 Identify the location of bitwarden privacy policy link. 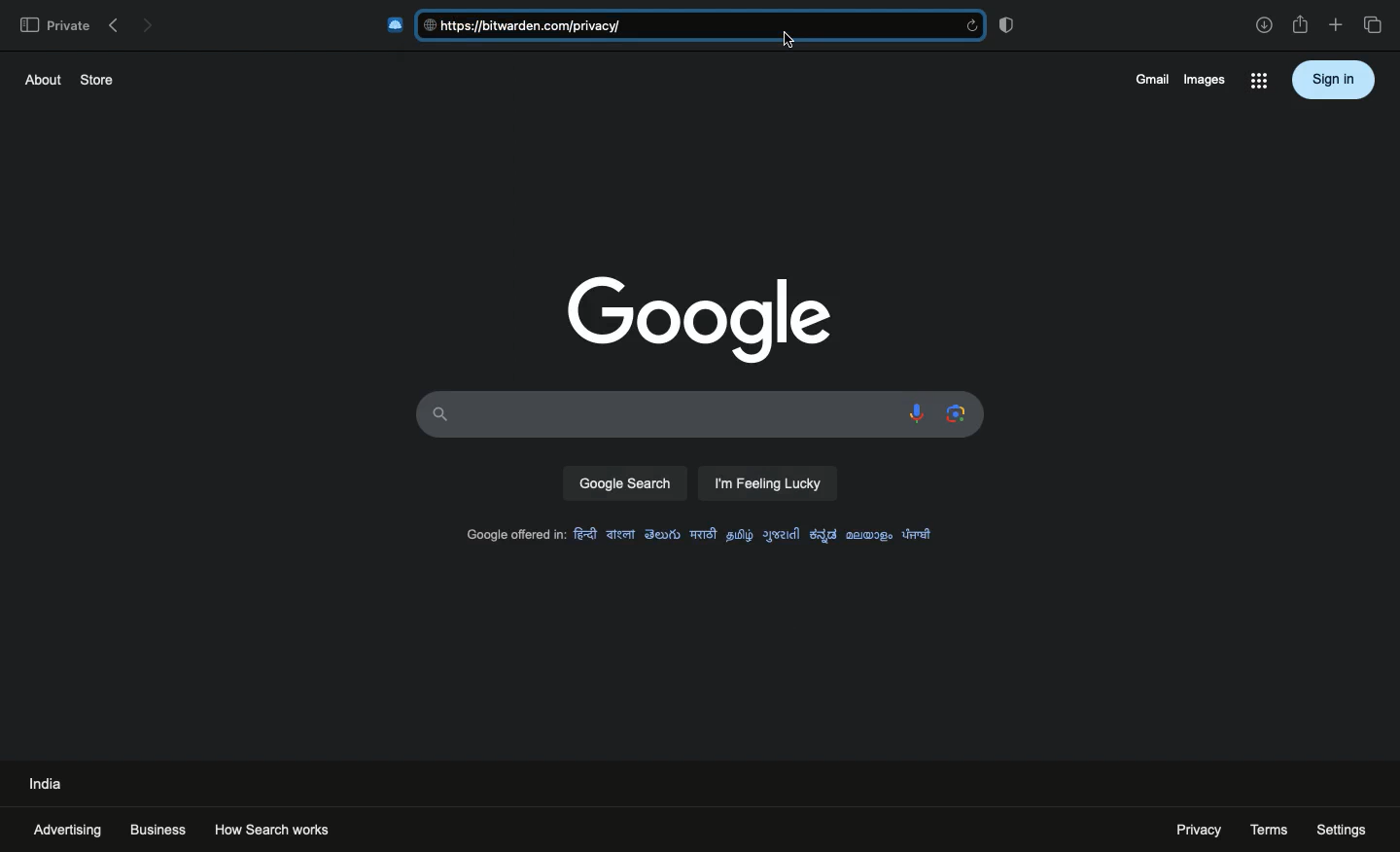
(695, 27).